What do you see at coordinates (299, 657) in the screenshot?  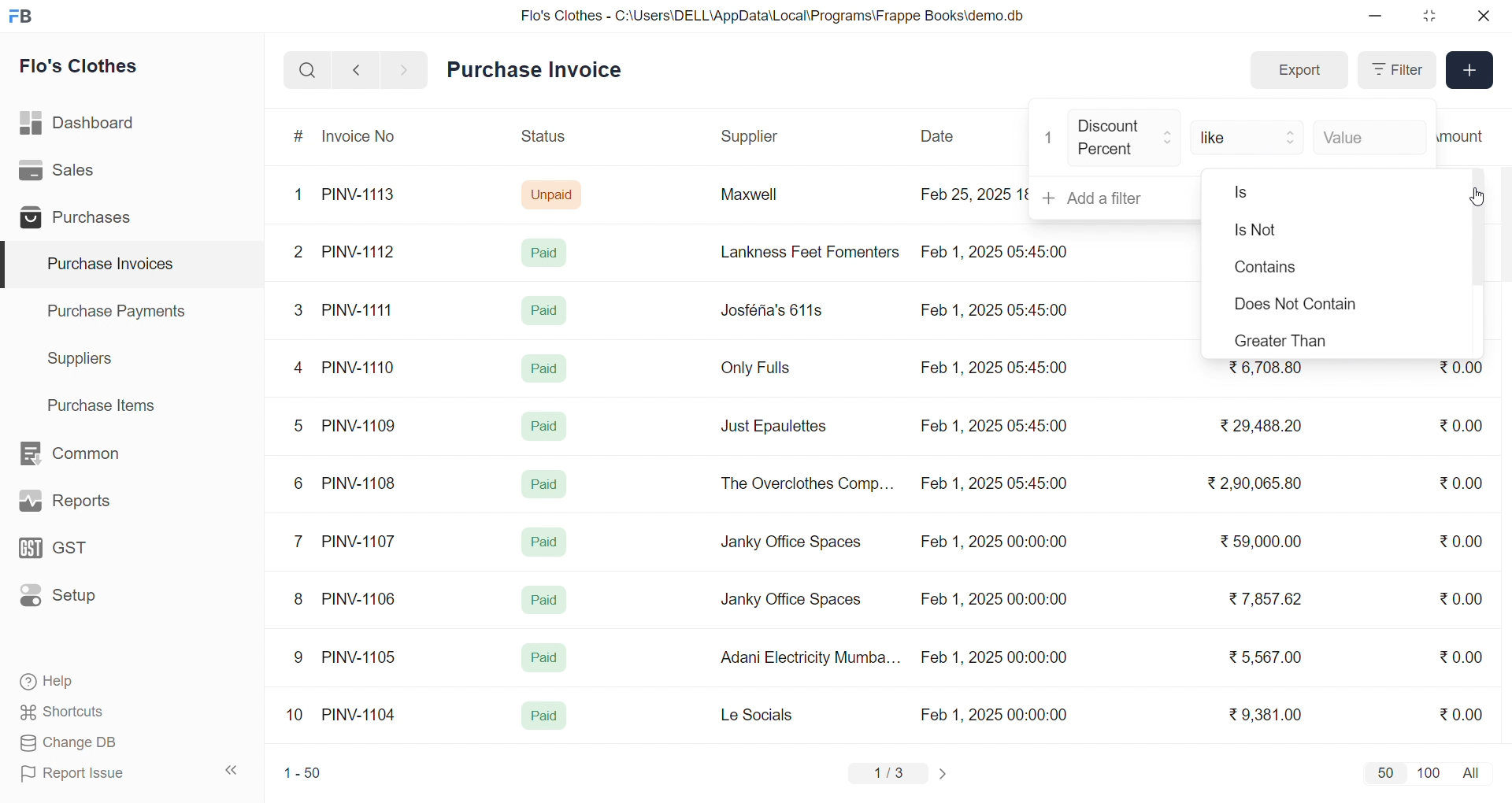 I see `9` at bounding box center [299, 657].